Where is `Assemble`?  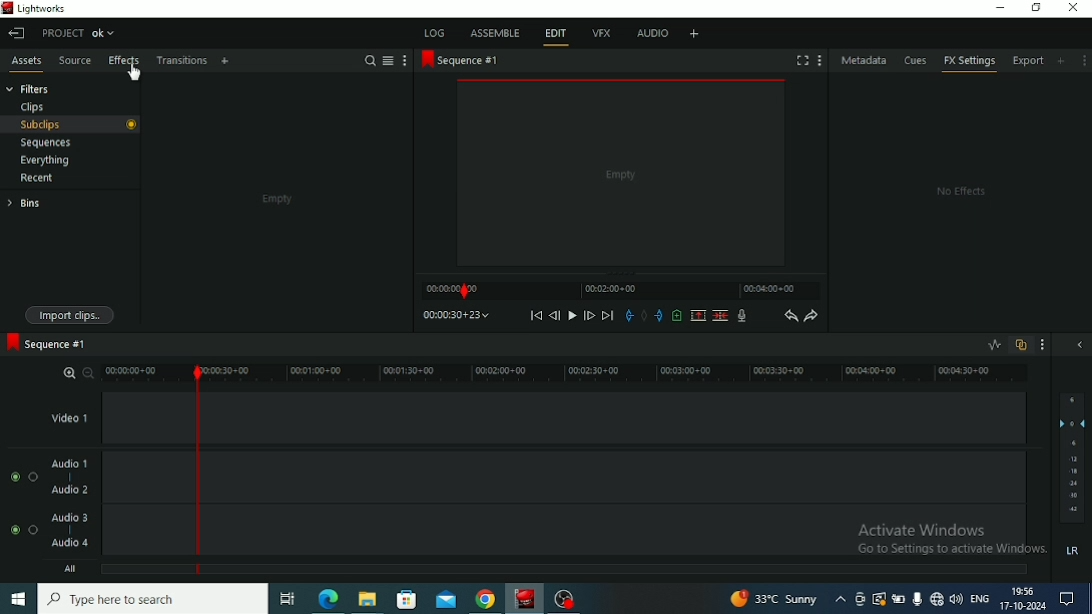 Assemble is located at coordinates (494, 32).